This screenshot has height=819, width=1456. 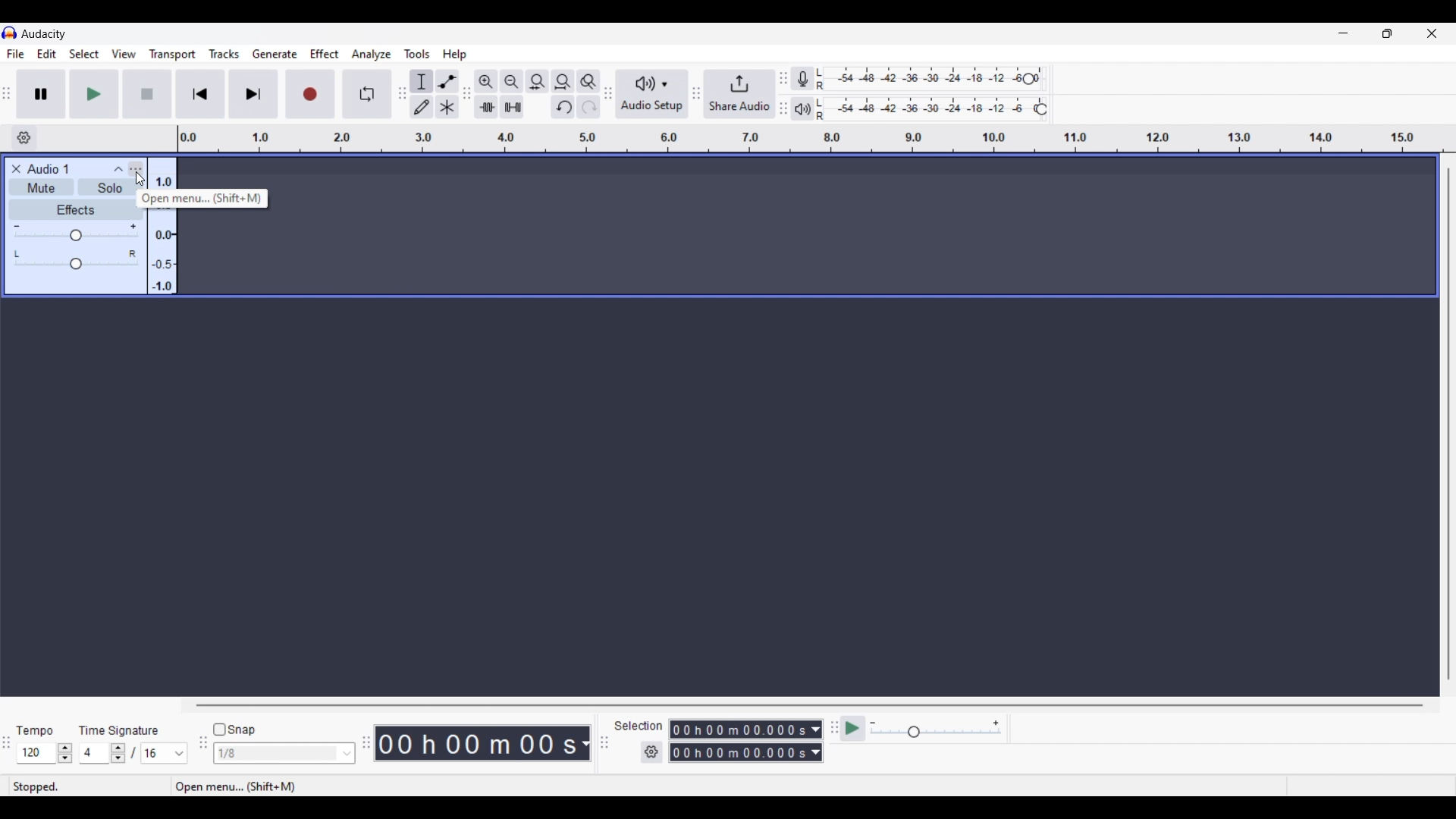 What do you see at coordinates (207, 198) in the screenshot?
I see `Description of selected icon` at bounding box center [207, 198].